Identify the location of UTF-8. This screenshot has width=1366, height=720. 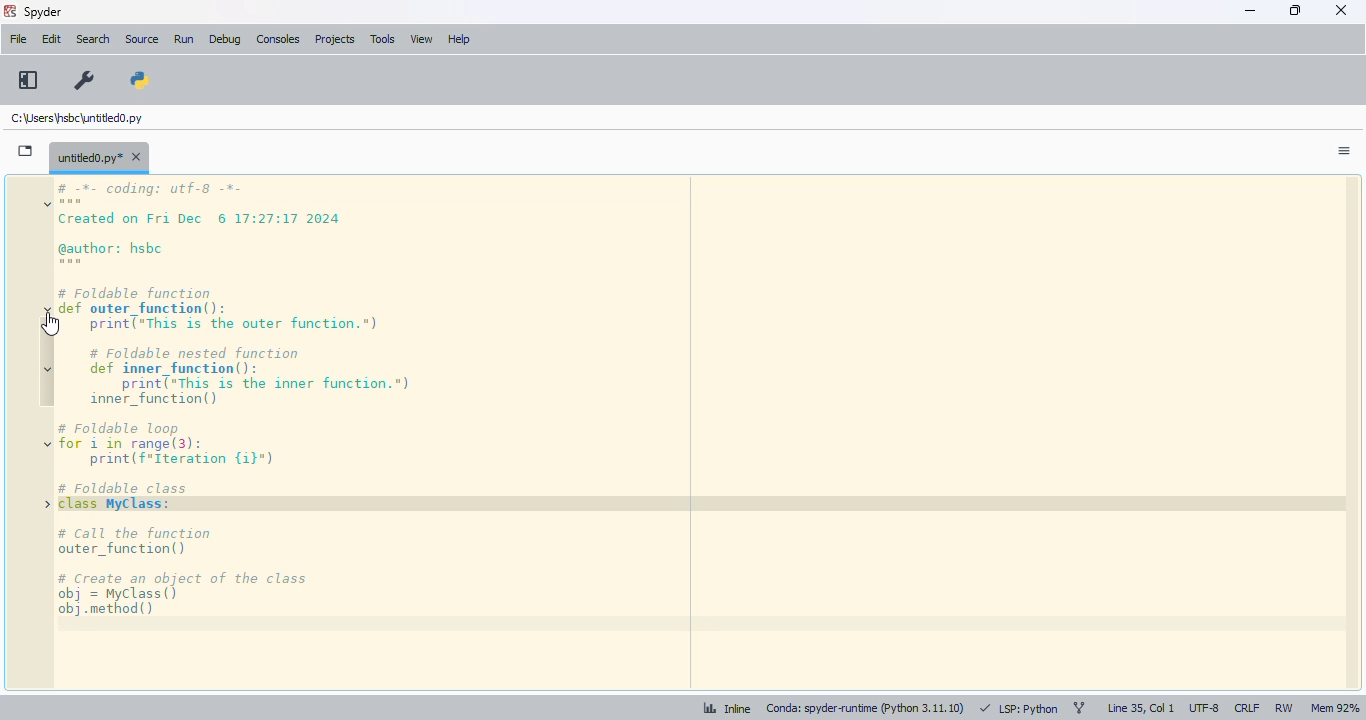
(1205, 709).